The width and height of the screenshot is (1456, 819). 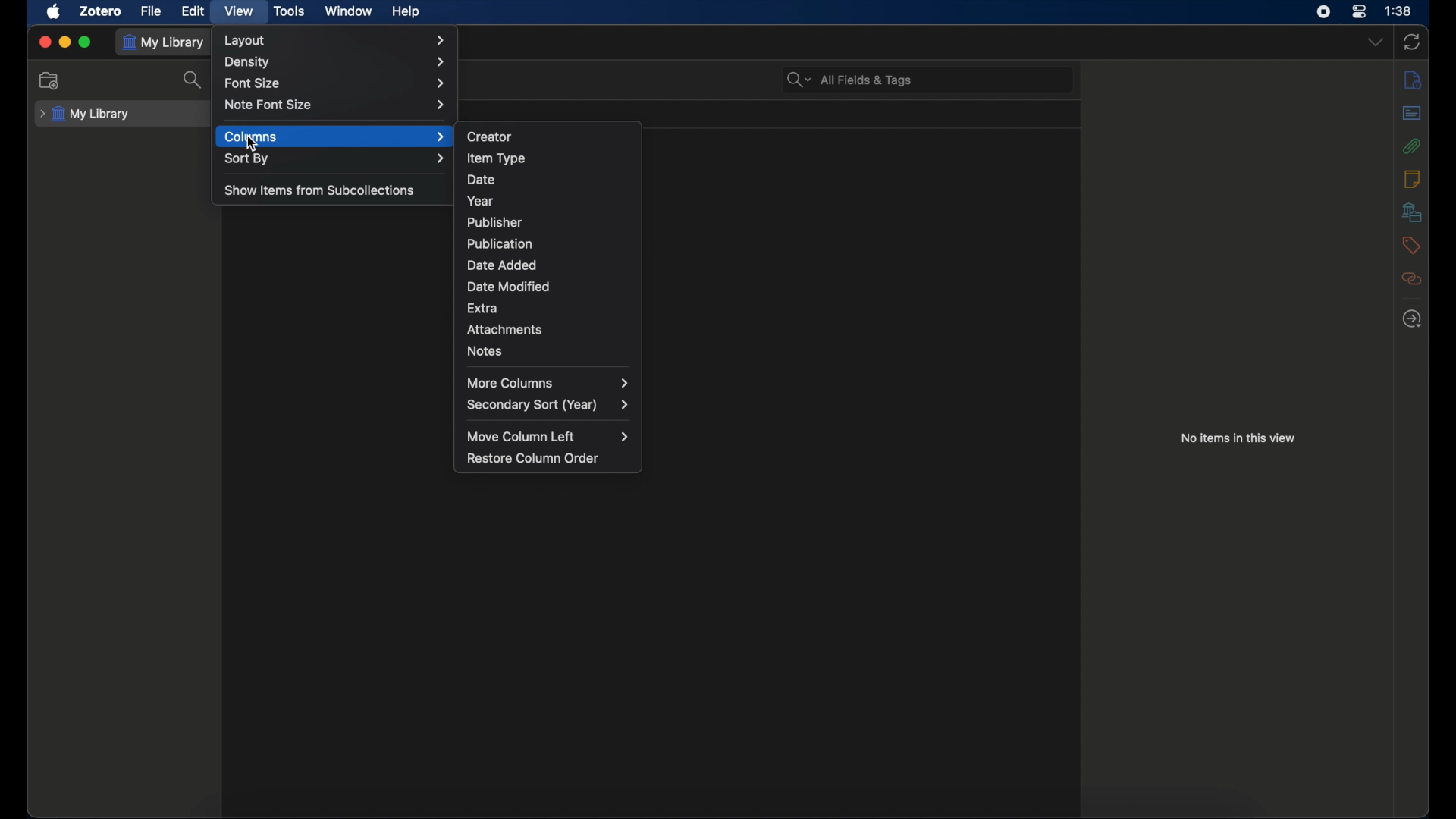 What do you see at coordinates (533, 458) in the screenshot?
I see `restore column order` at bounding box center [533, 458].